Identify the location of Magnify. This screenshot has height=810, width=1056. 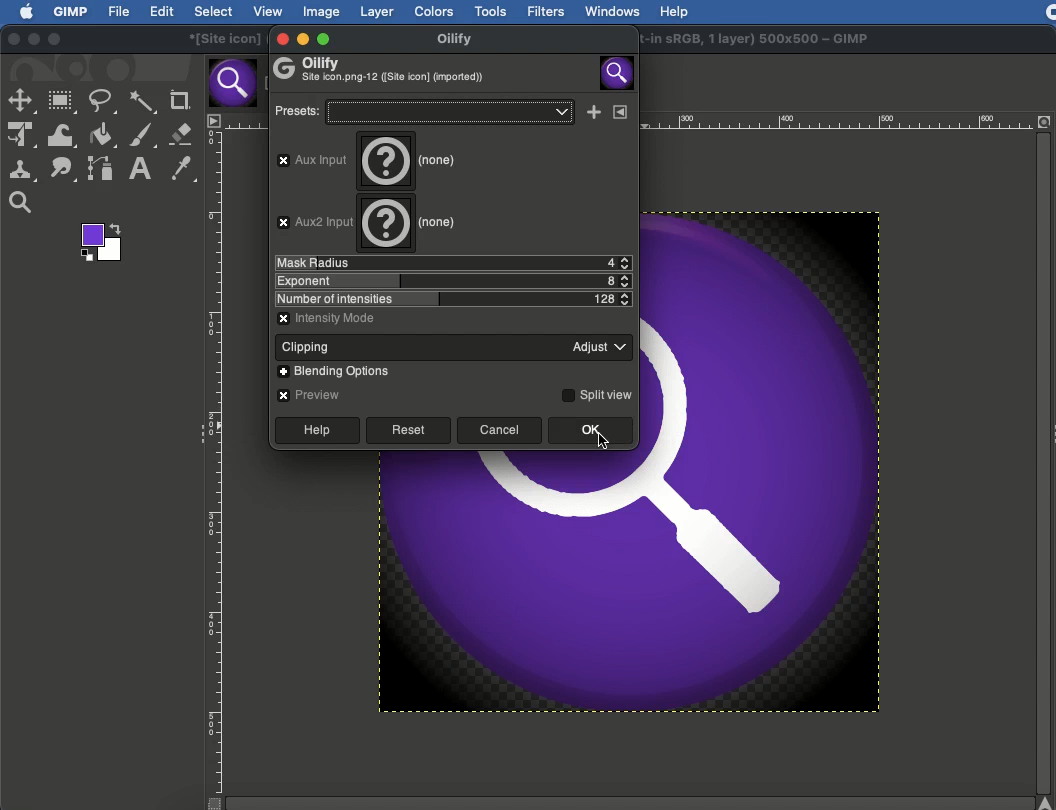
(19, 204).